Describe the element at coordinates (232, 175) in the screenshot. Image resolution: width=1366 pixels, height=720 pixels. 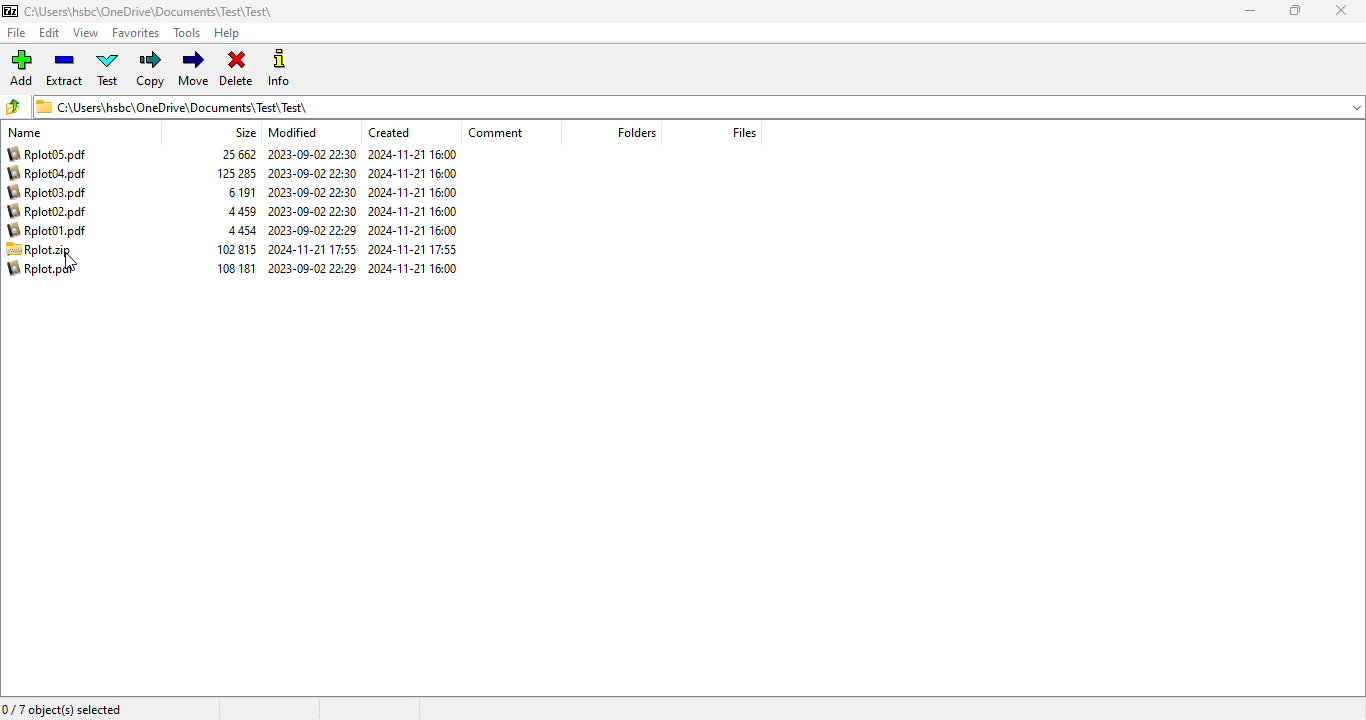
I see `125 285` at that location.